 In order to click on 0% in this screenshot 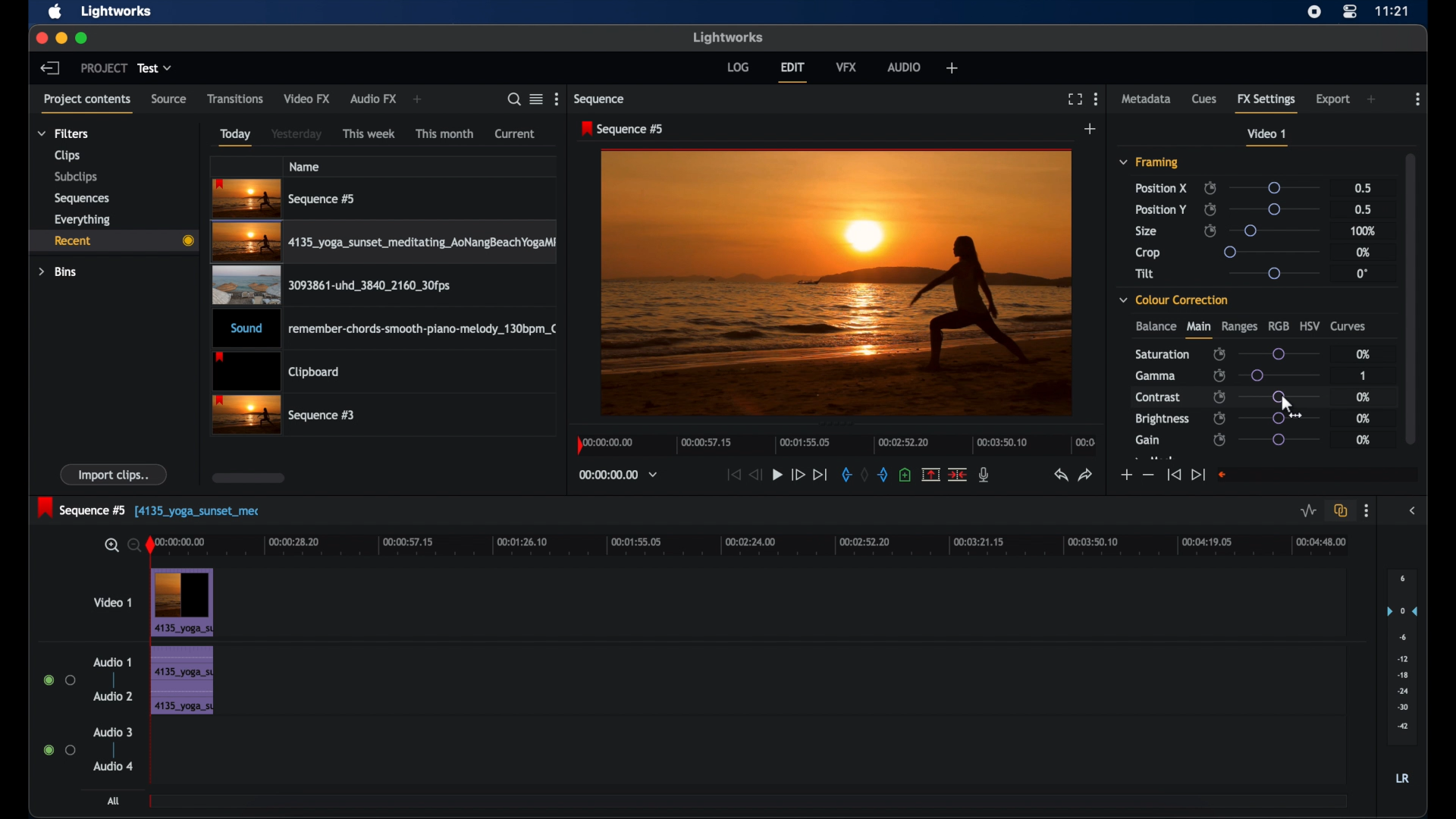, I will do `click(1361, 397)`.